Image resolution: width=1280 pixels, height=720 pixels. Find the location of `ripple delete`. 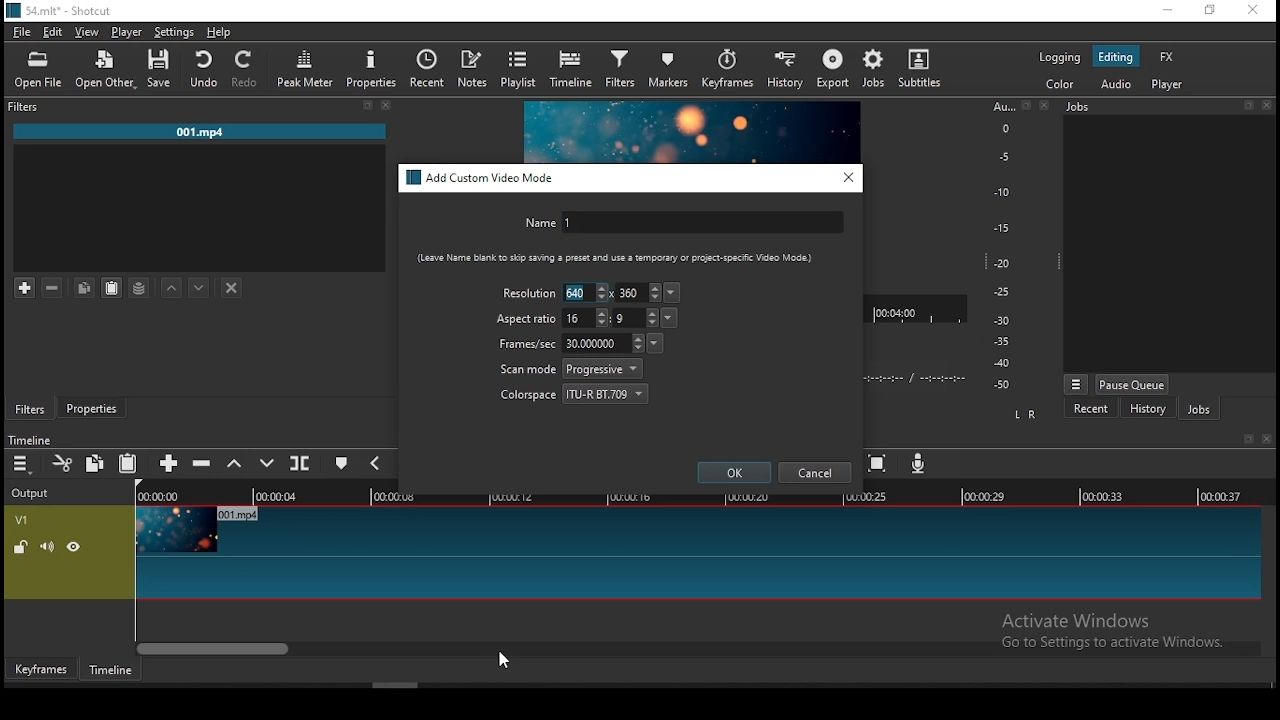

ripple delete is located at coordinates (201, 462).